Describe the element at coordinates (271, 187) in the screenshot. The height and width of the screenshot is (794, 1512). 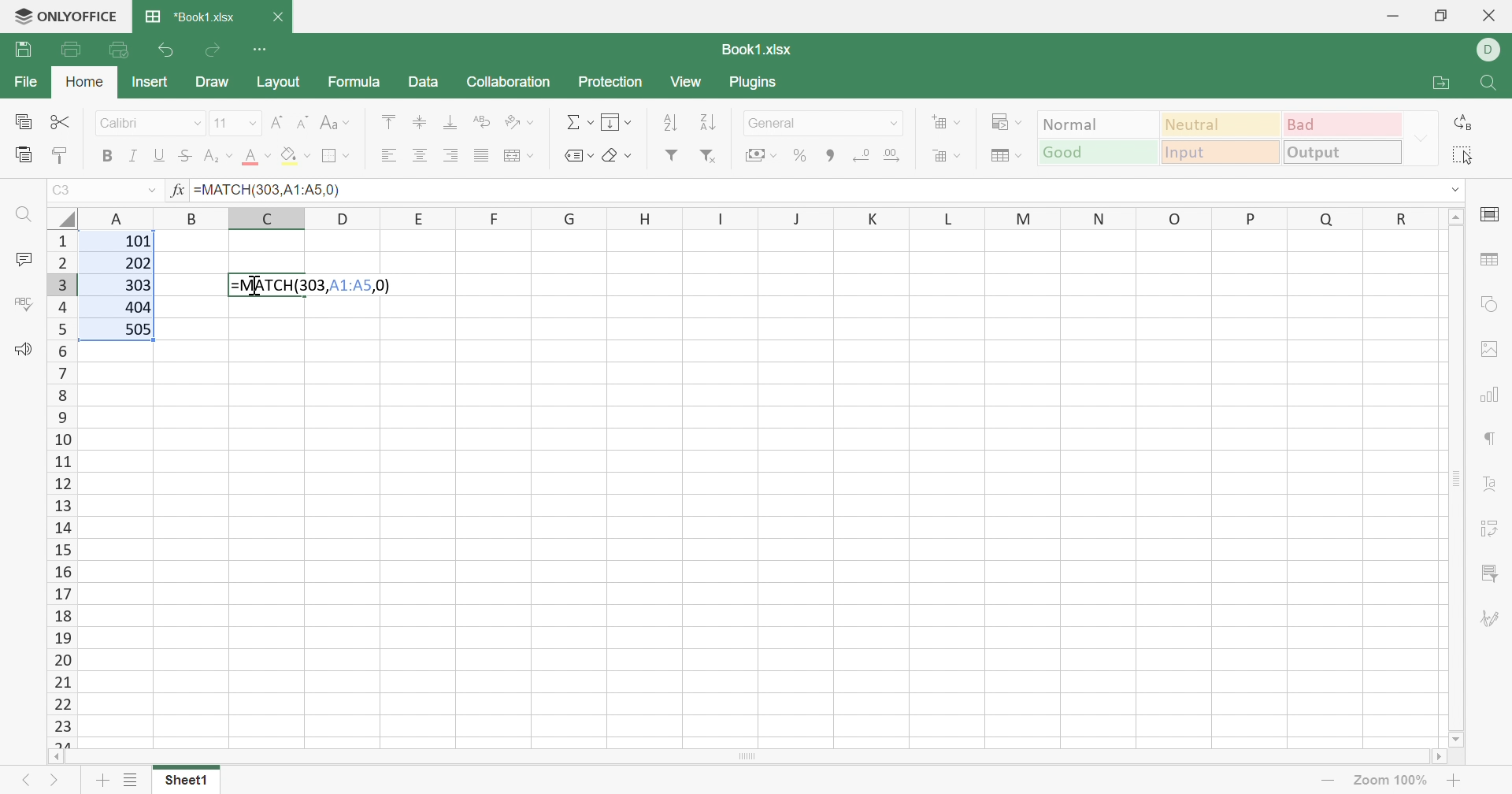
I see `=MATCH(303,A1:A5,0)` at that location.